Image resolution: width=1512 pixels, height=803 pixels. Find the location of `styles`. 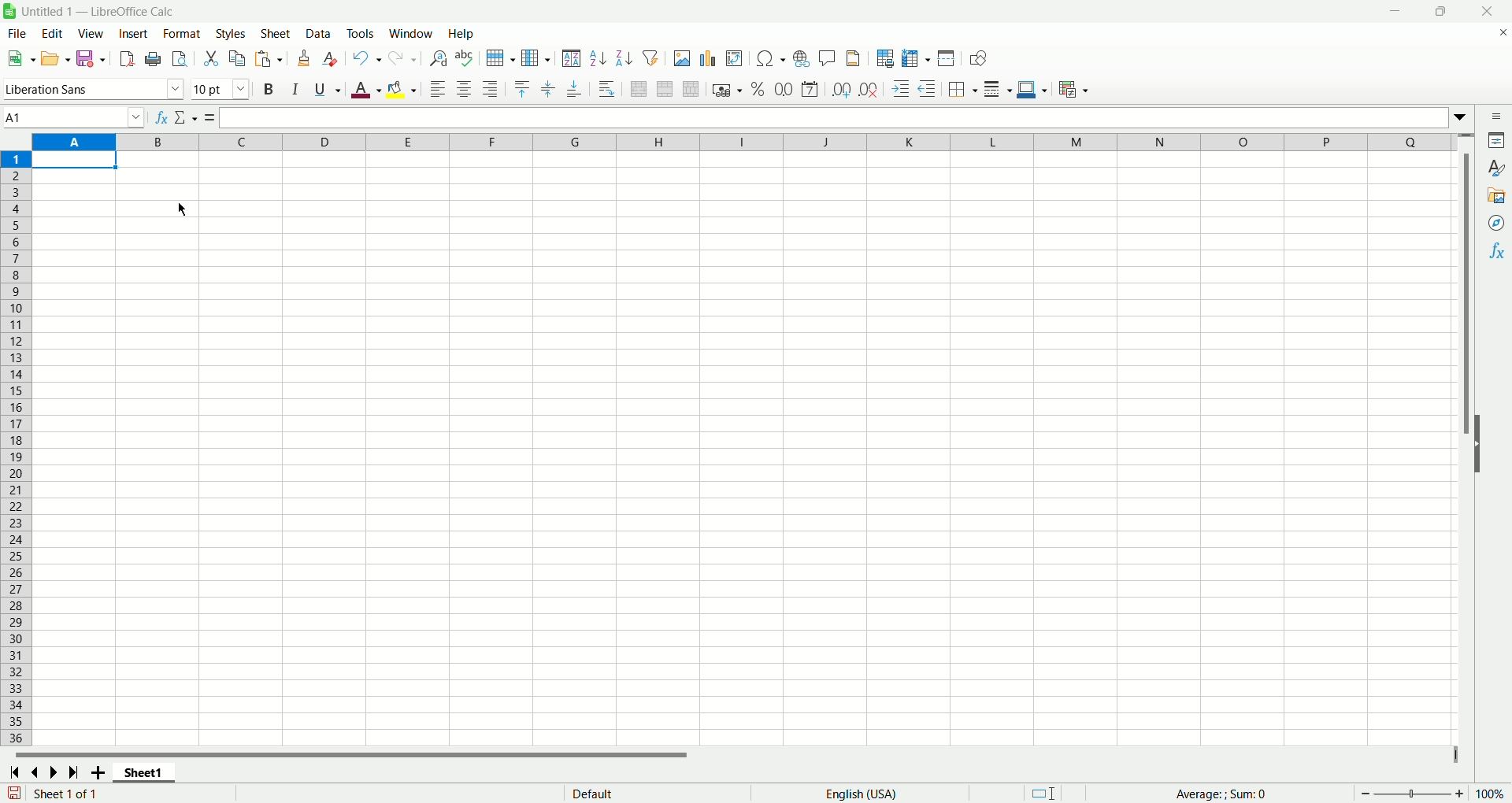

styles is located at coordinates (233, 33).